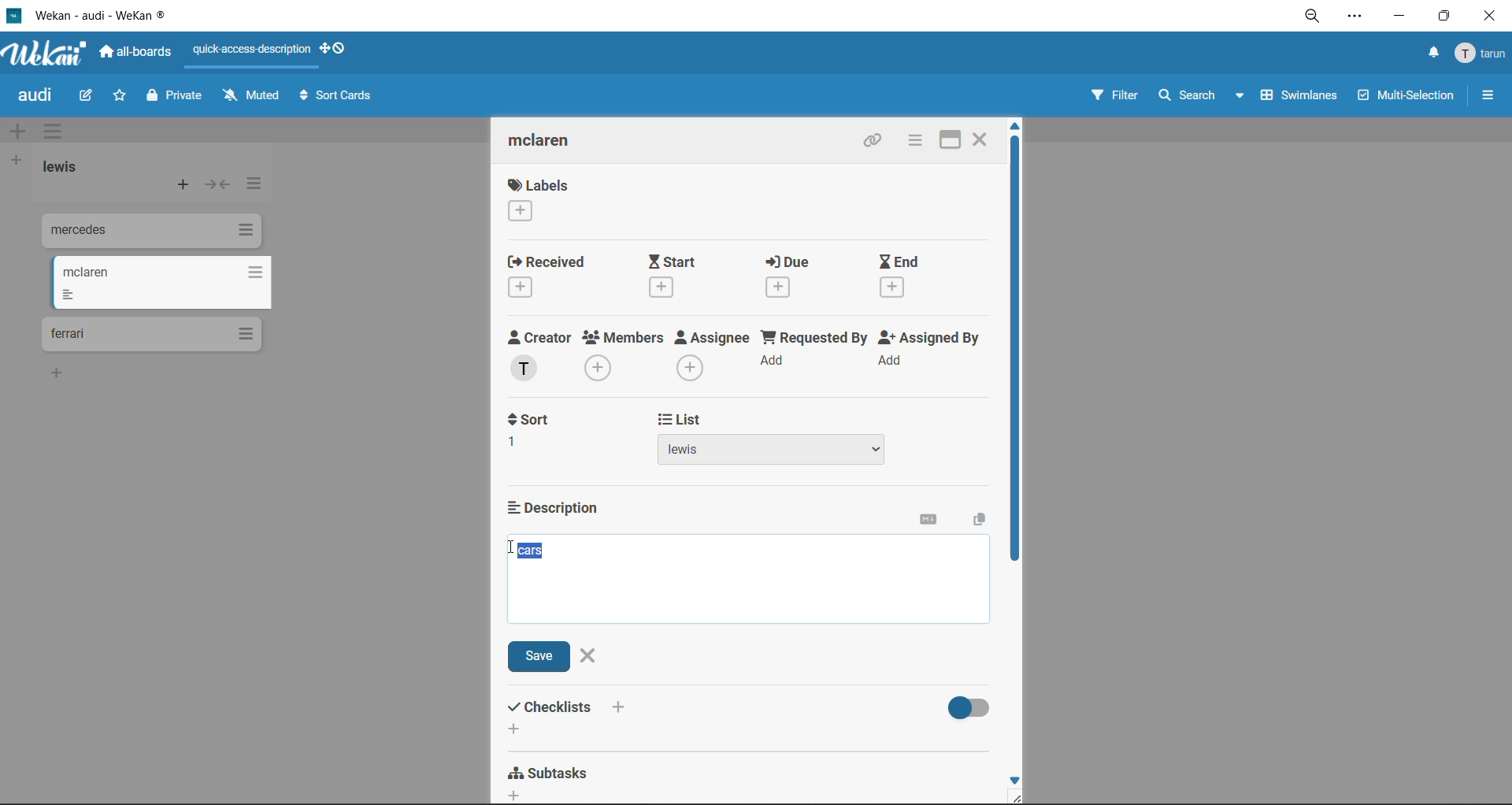  What do you see at coordinates (1114, 97) in the screenshot?
I see `filter` at bounding box center [1114, 97].